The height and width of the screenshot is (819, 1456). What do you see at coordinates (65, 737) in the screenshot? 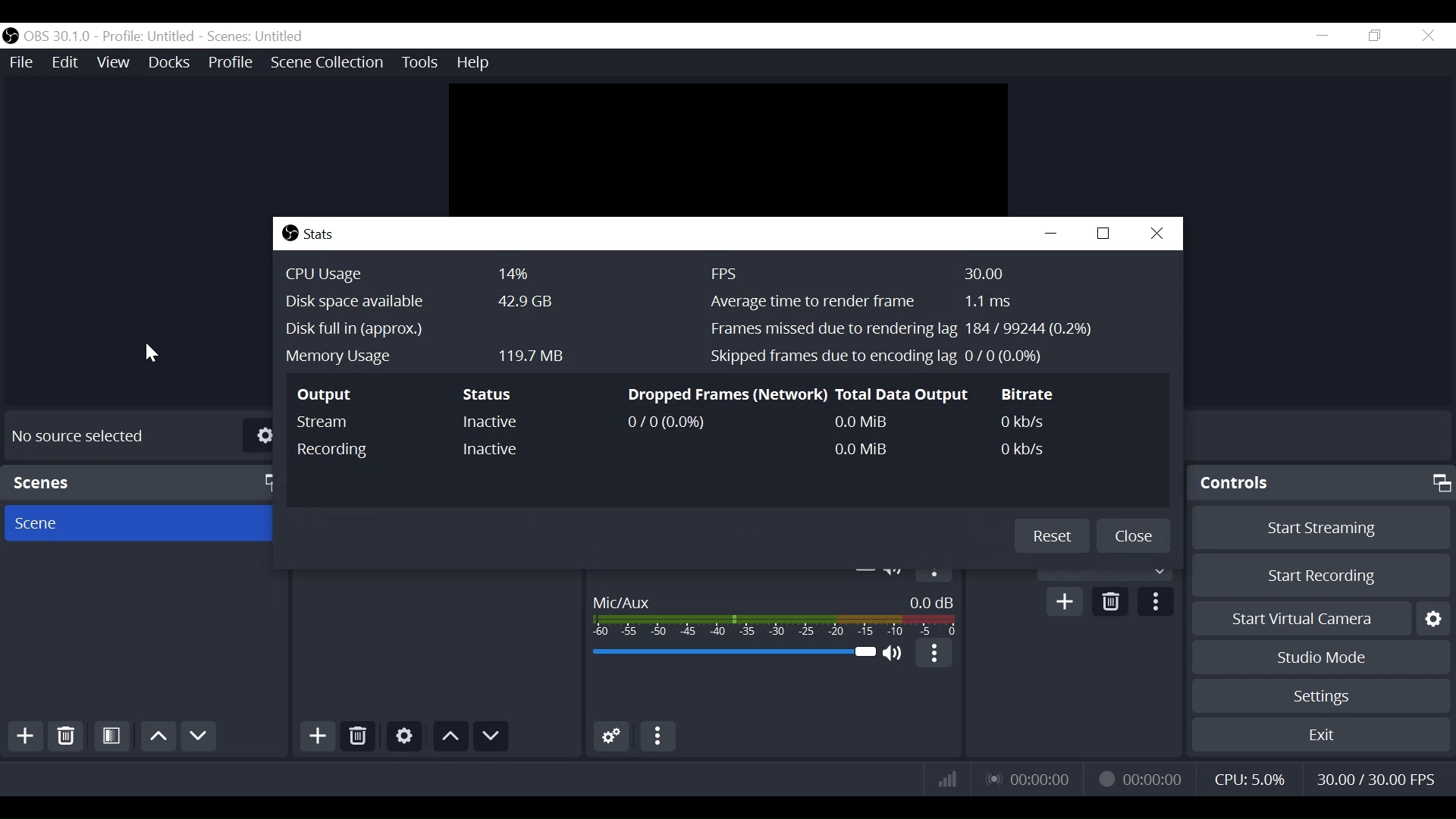
I see `Delete` at bounding box center [65, 737].